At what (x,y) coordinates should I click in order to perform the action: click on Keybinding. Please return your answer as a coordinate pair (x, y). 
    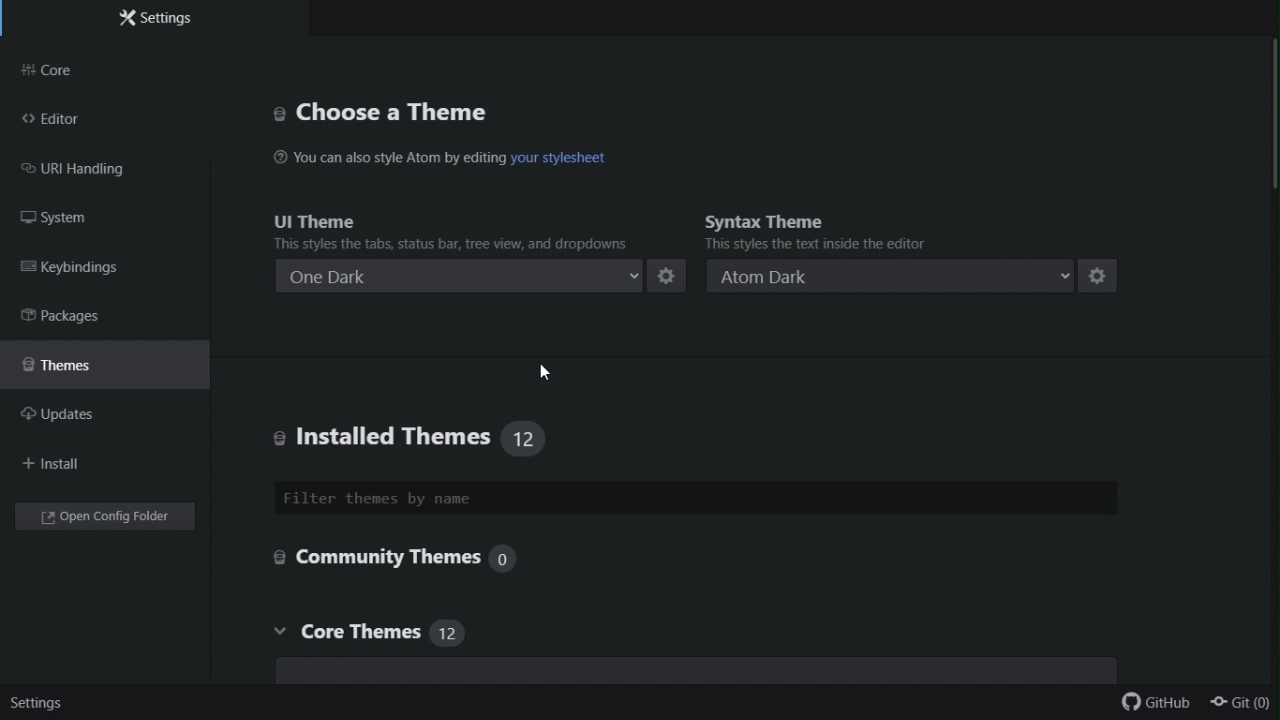
    Looking at the image, I should click on (79, 266).